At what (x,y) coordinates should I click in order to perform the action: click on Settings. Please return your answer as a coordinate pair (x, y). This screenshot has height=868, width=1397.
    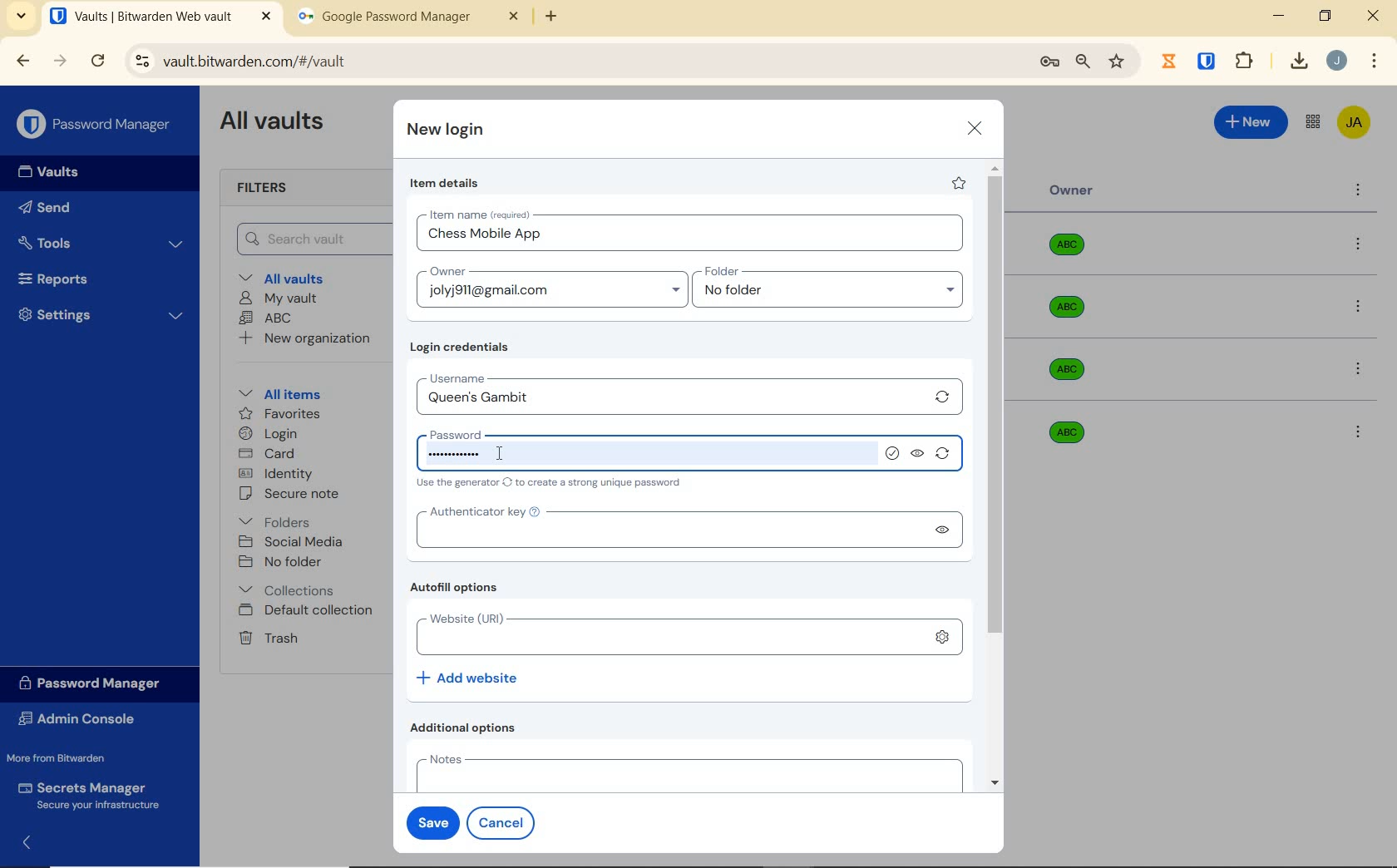
    Looking at the image, I should click on (101, 313).